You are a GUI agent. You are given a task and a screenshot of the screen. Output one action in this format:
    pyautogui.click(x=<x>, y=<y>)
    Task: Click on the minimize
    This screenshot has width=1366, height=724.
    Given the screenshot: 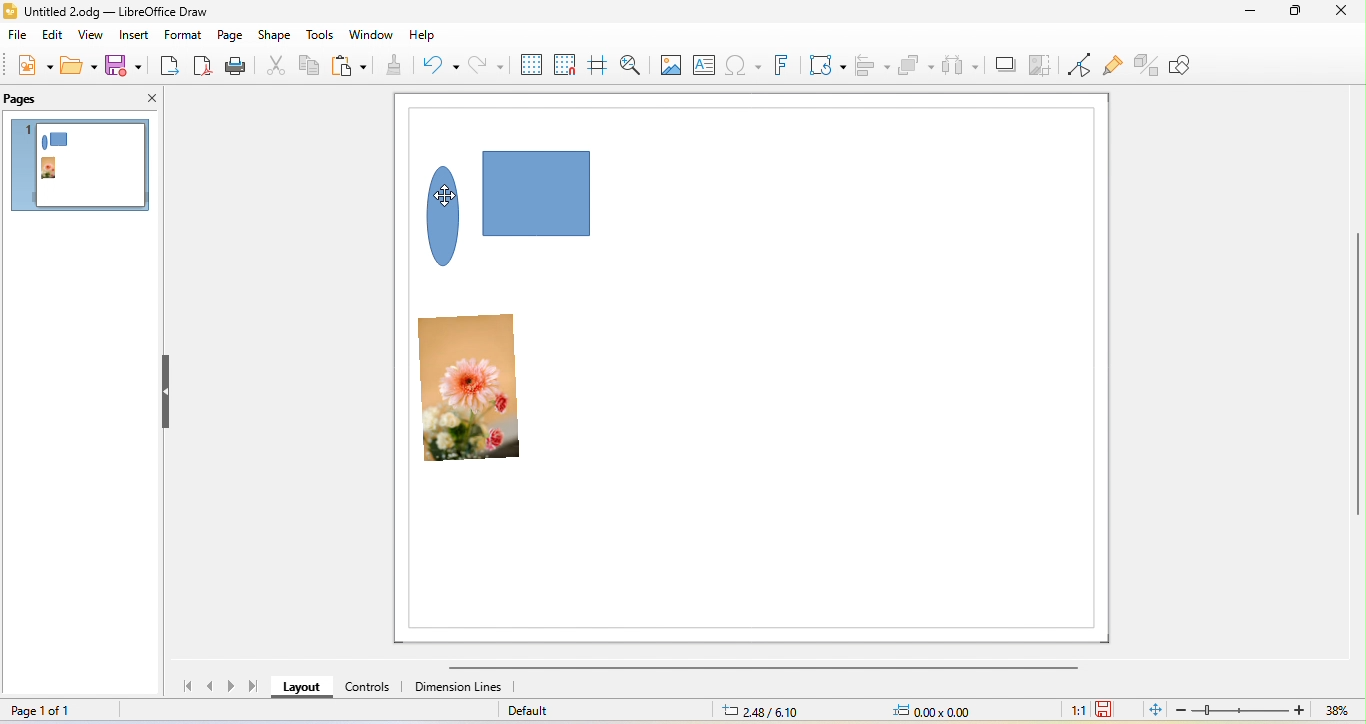 What is the action you would take?
    pyautogui.click(x=1245, y=15)
    